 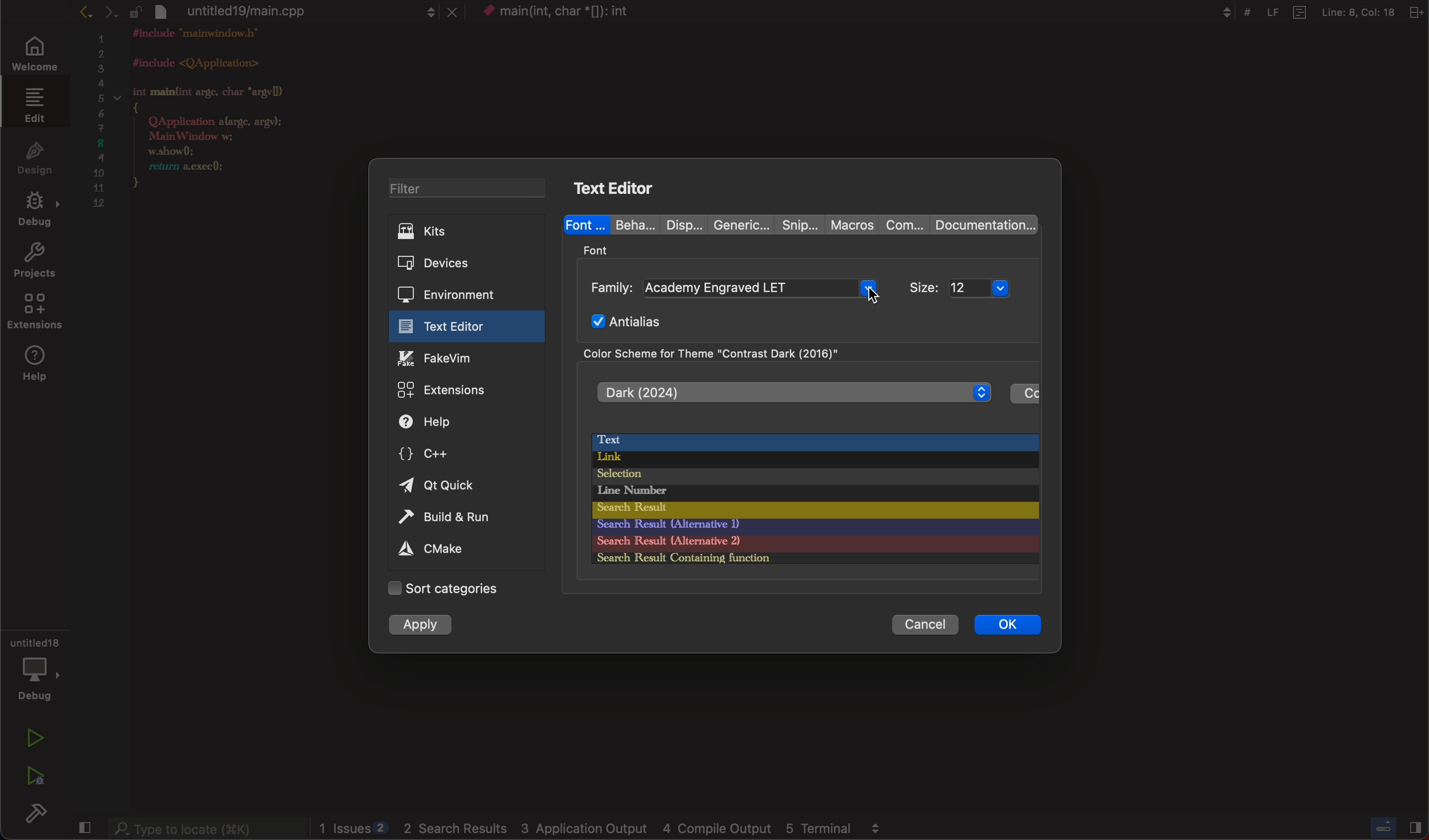 I want to click on debug, so click(x=34, y=212).